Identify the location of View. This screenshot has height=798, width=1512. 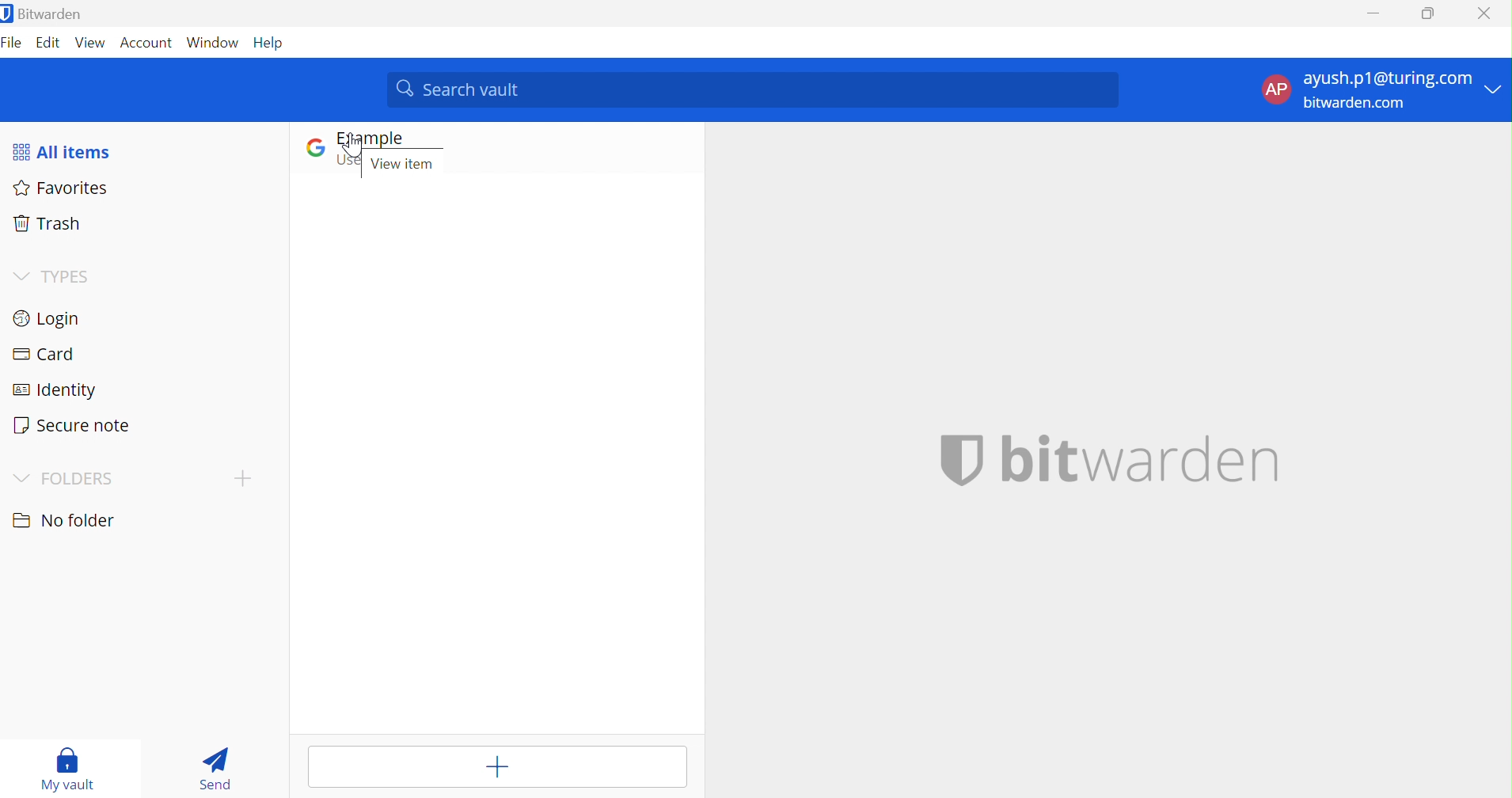
(91, 42).